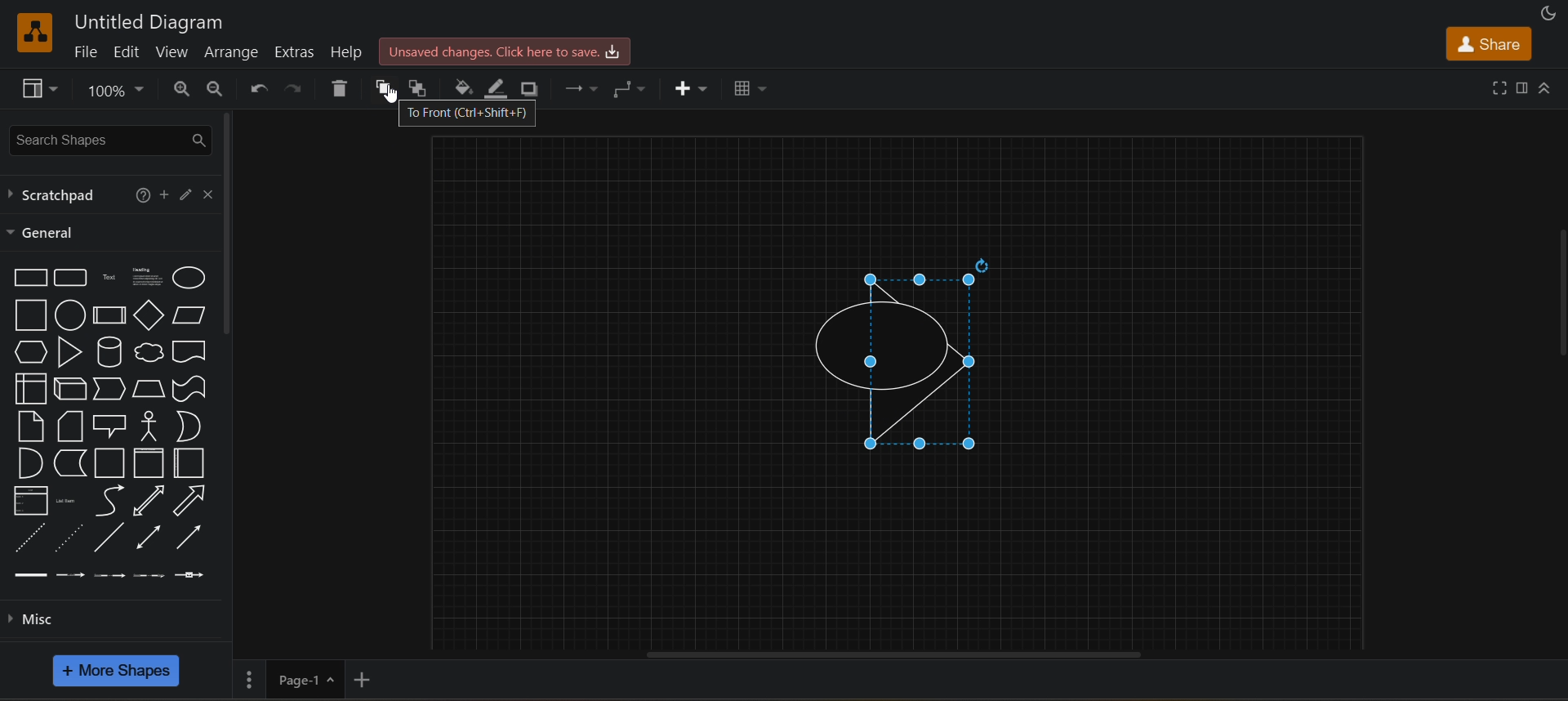  Describe the element at coordinates (294, 50) in the screenshot. I see `extras` at that location.